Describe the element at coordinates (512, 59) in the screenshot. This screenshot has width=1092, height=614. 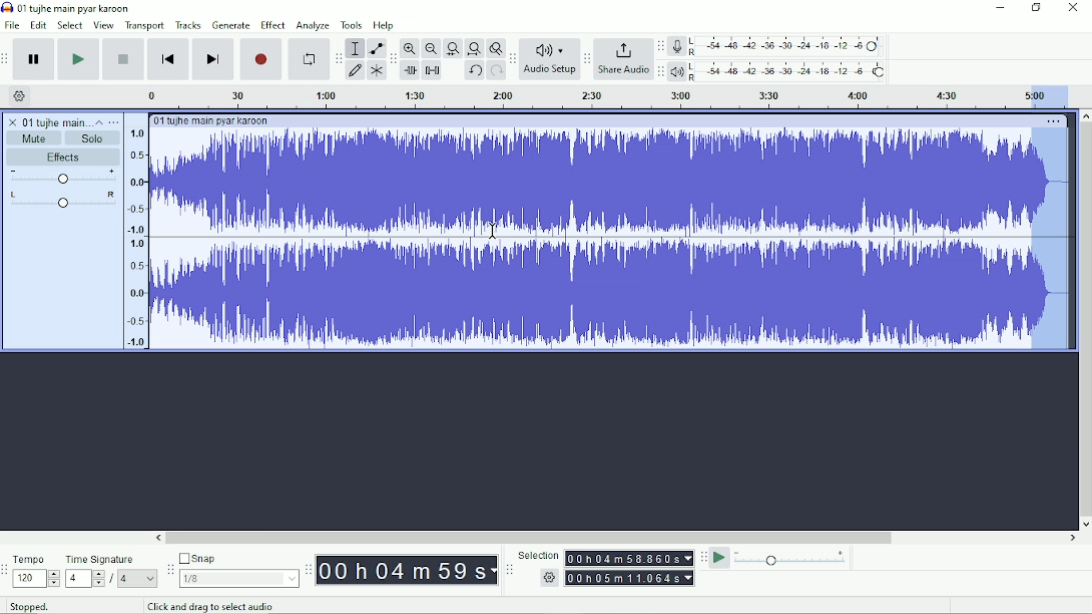
I see `Audacity audio setup toolbar` at that location.